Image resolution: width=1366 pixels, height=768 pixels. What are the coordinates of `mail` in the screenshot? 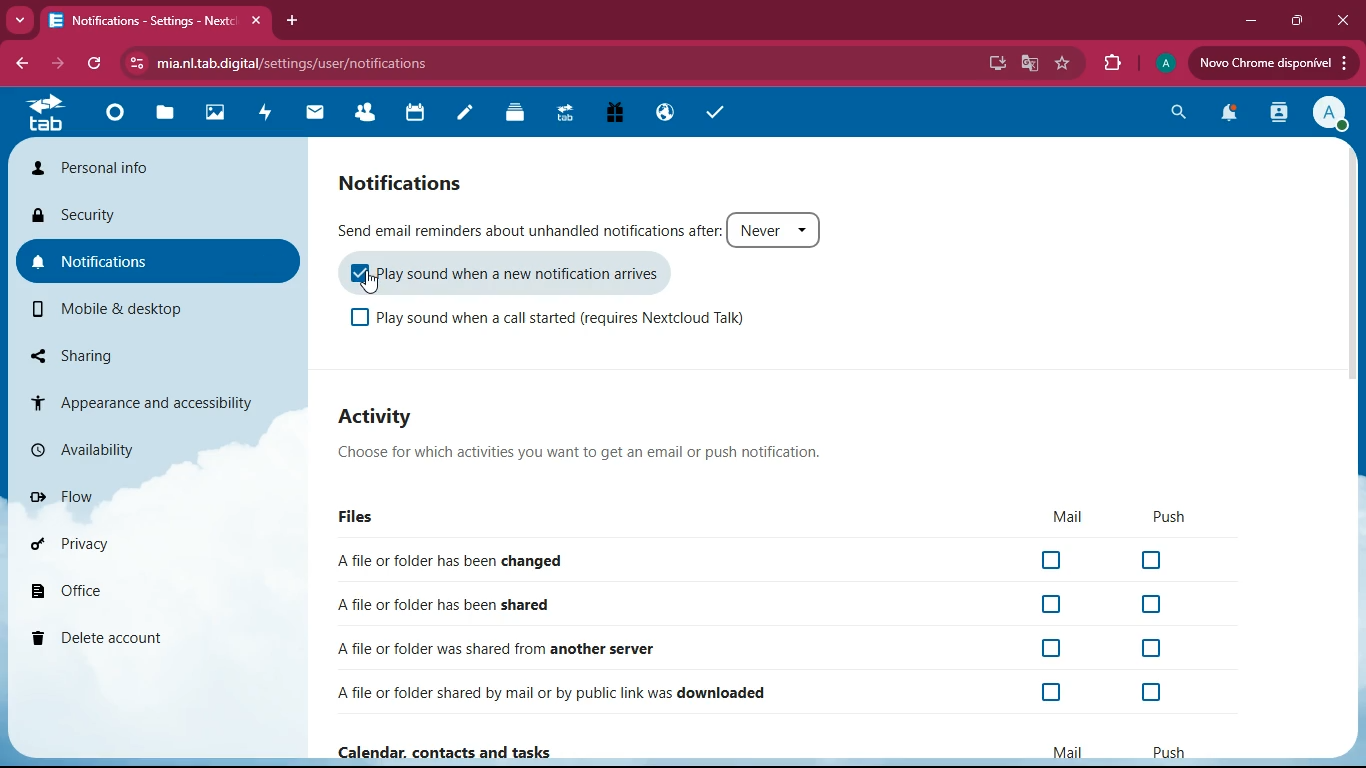 It's located at (1069, 751).